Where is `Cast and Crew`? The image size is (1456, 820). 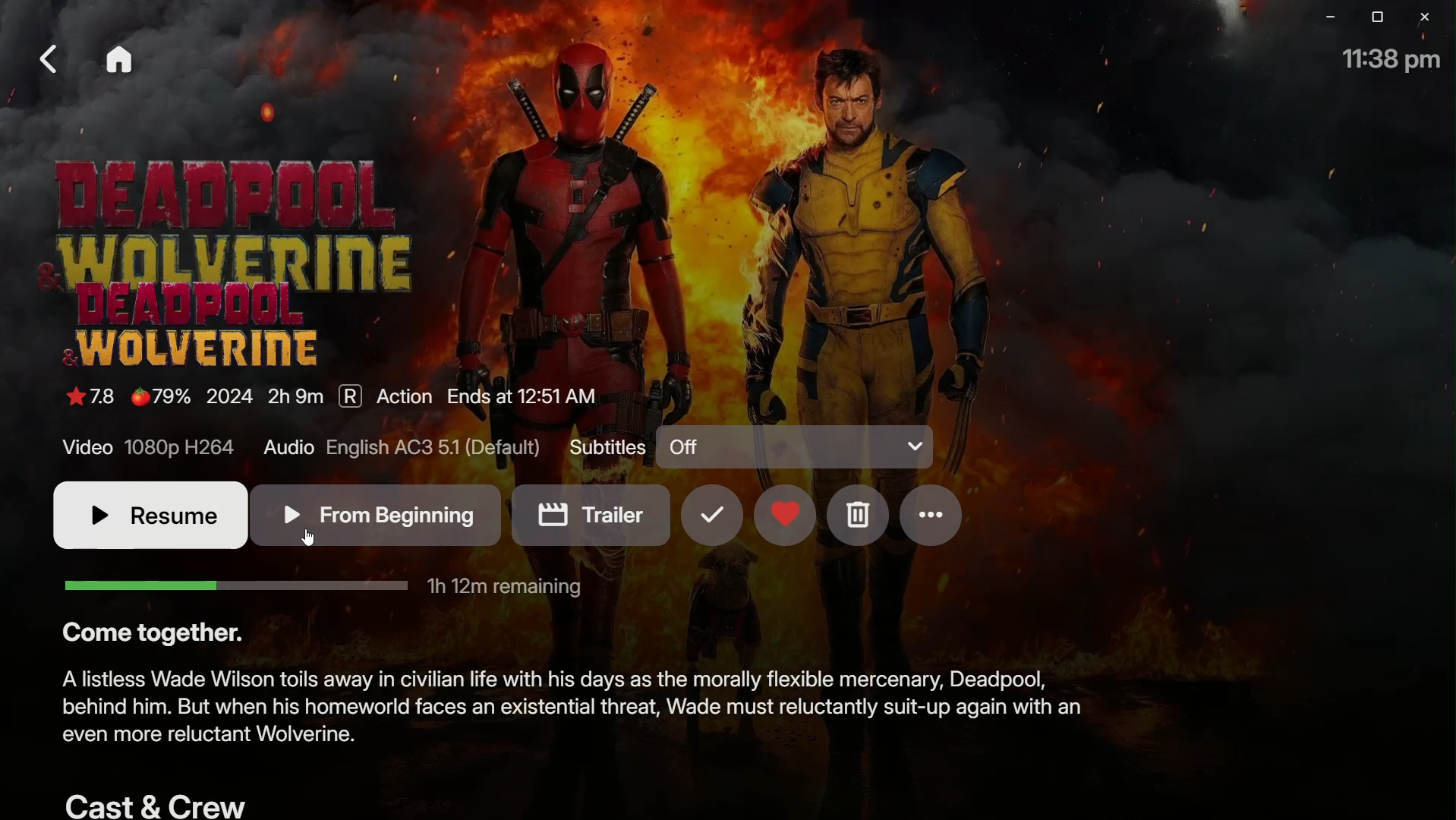
Cast and Crew is located at coordinates (154, 804).